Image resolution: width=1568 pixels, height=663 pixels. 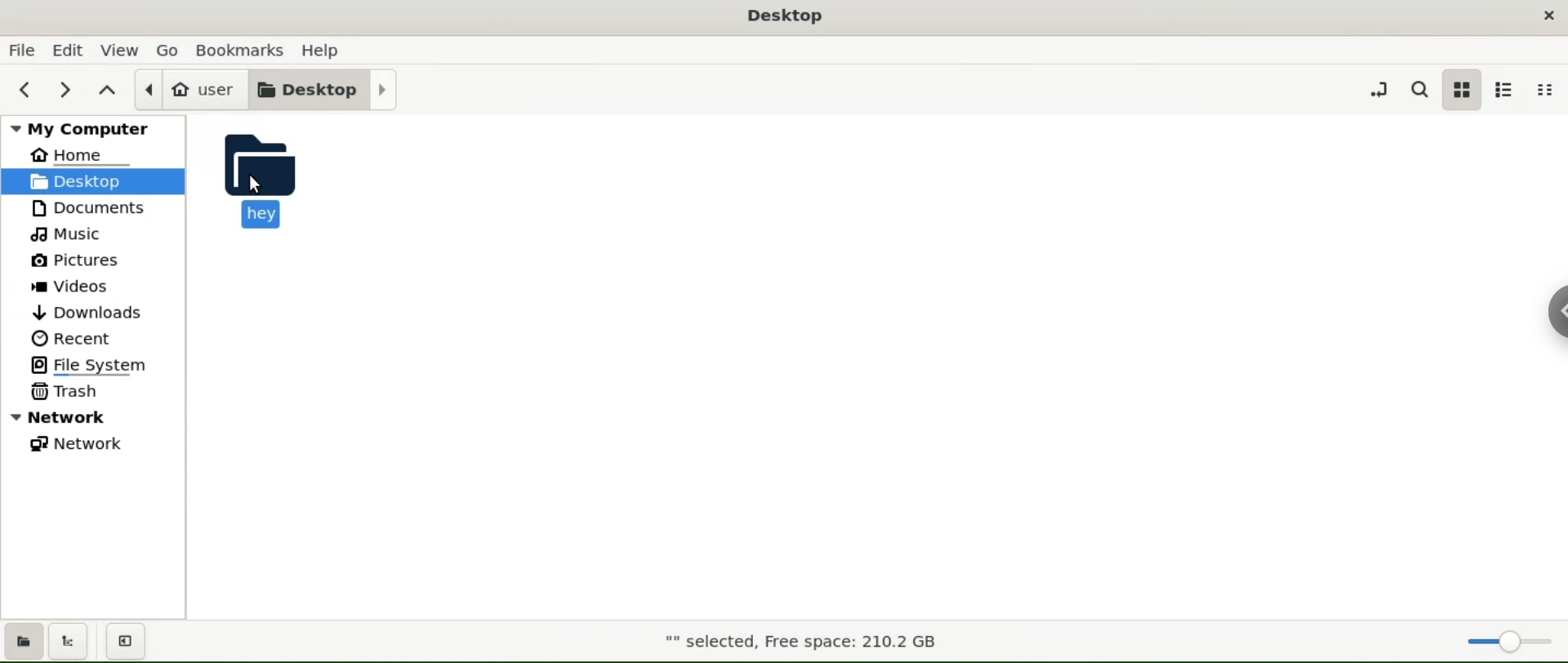 I want to click on desktop, so click(x=93, y=181).